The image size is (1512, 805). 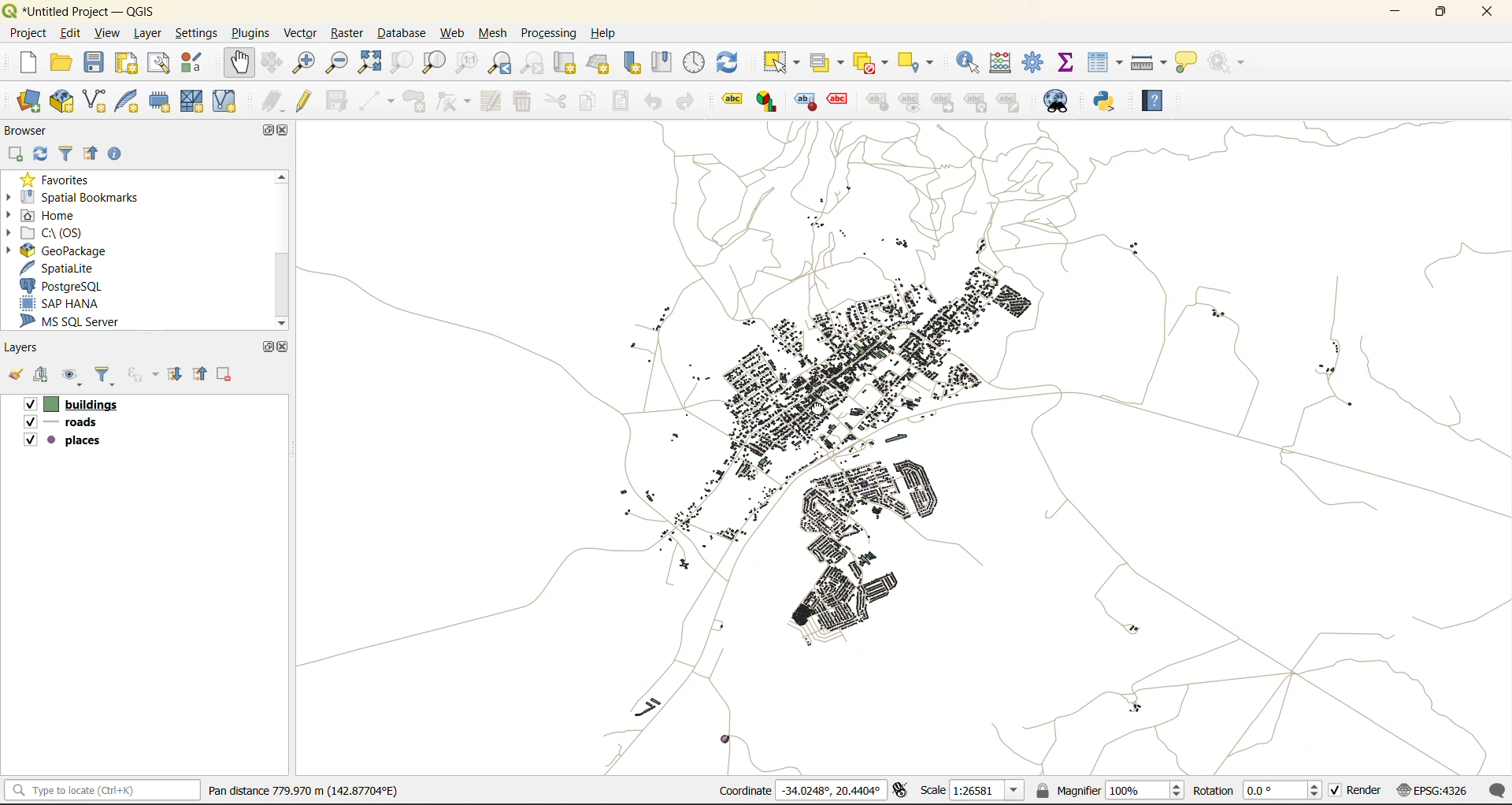 What do you see at coordinates (1441, 15) in the screenshot?
I see `maximize` at bounding box center [1441, 15].